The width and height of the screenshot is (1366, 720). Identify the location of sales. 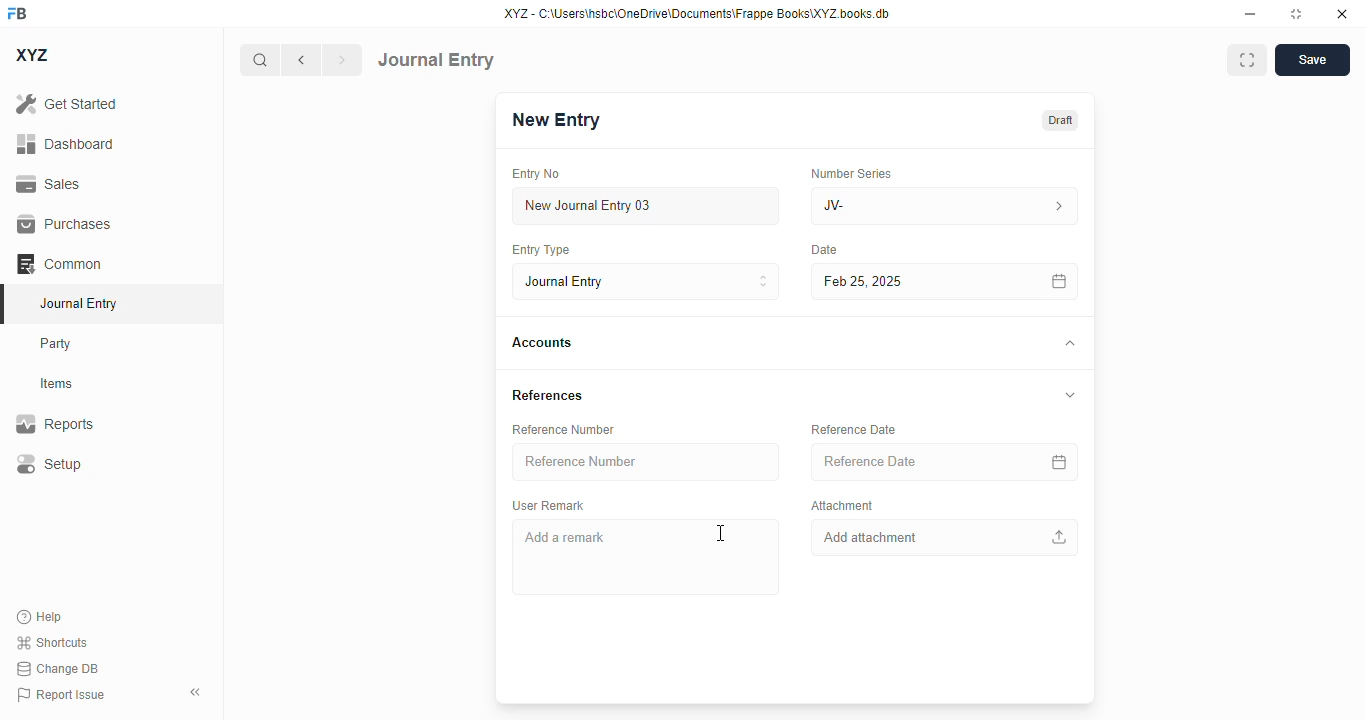
(51, 185).